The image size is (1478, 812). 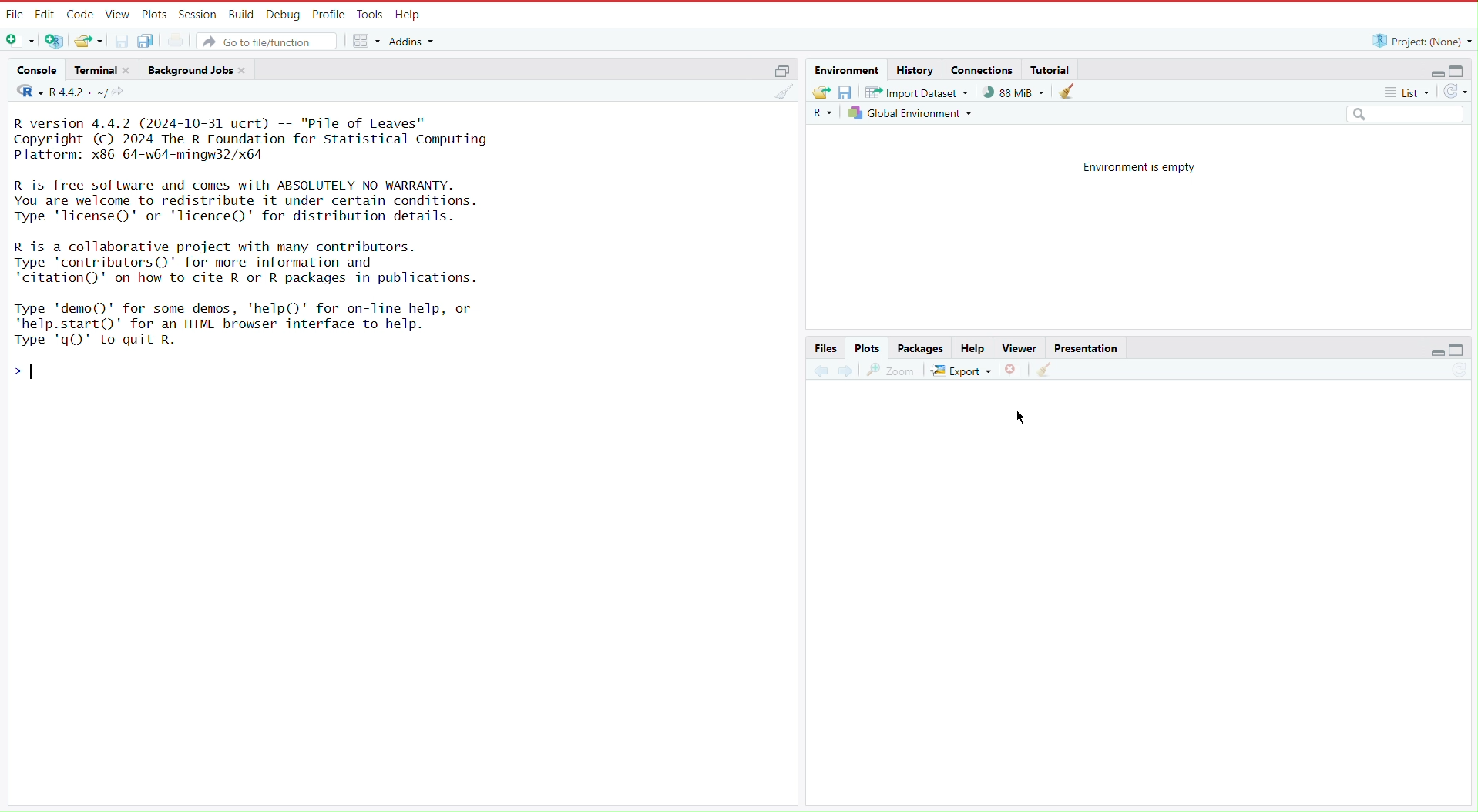 What do you see at coordinates (153, 40) in the screenshot?
I see `Save all open documents (Ctrl + Alt + S)` at bounding box center [153, 40].